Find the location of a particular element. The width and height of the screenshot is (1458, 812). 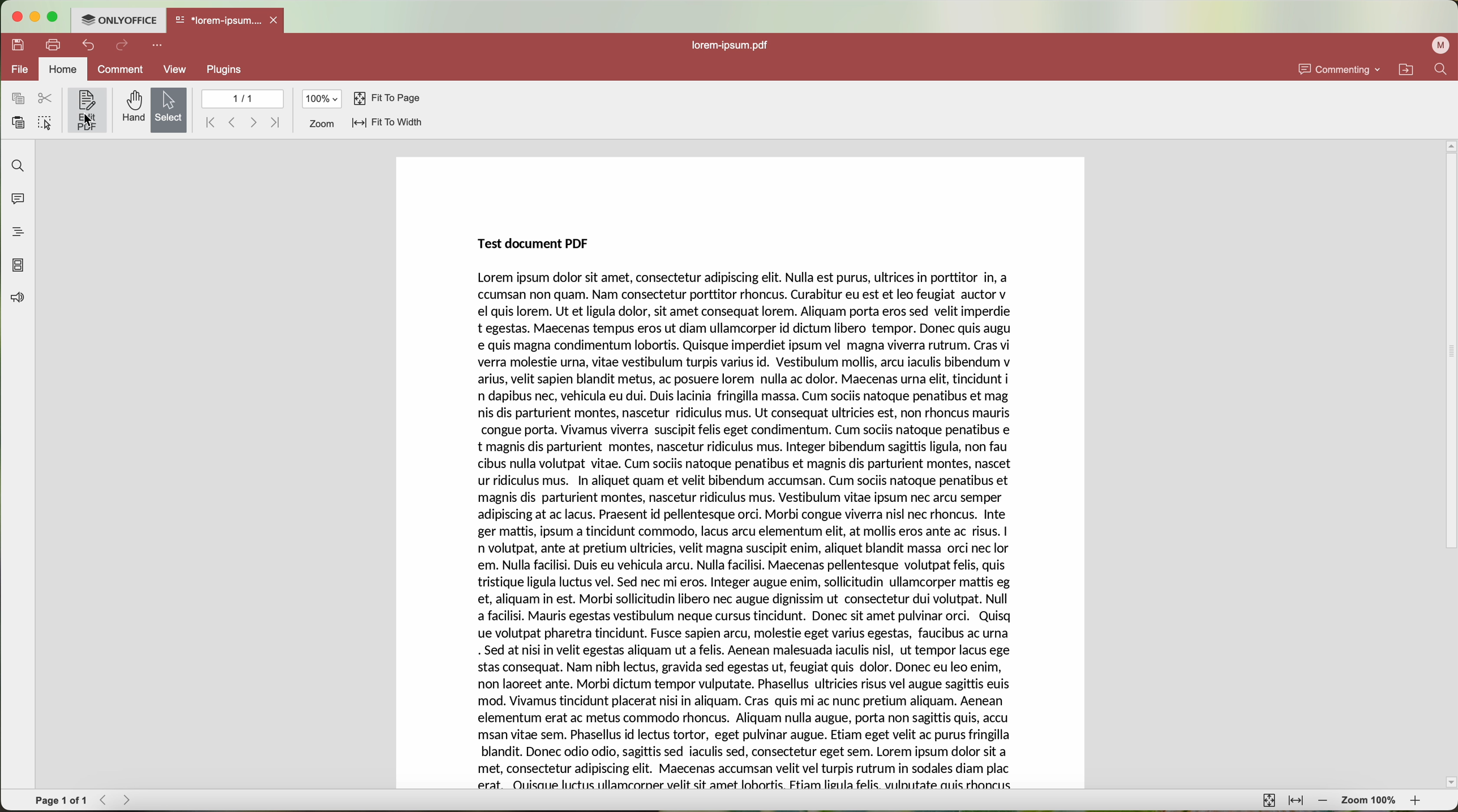

plugins is located at coordinates (225, 70).